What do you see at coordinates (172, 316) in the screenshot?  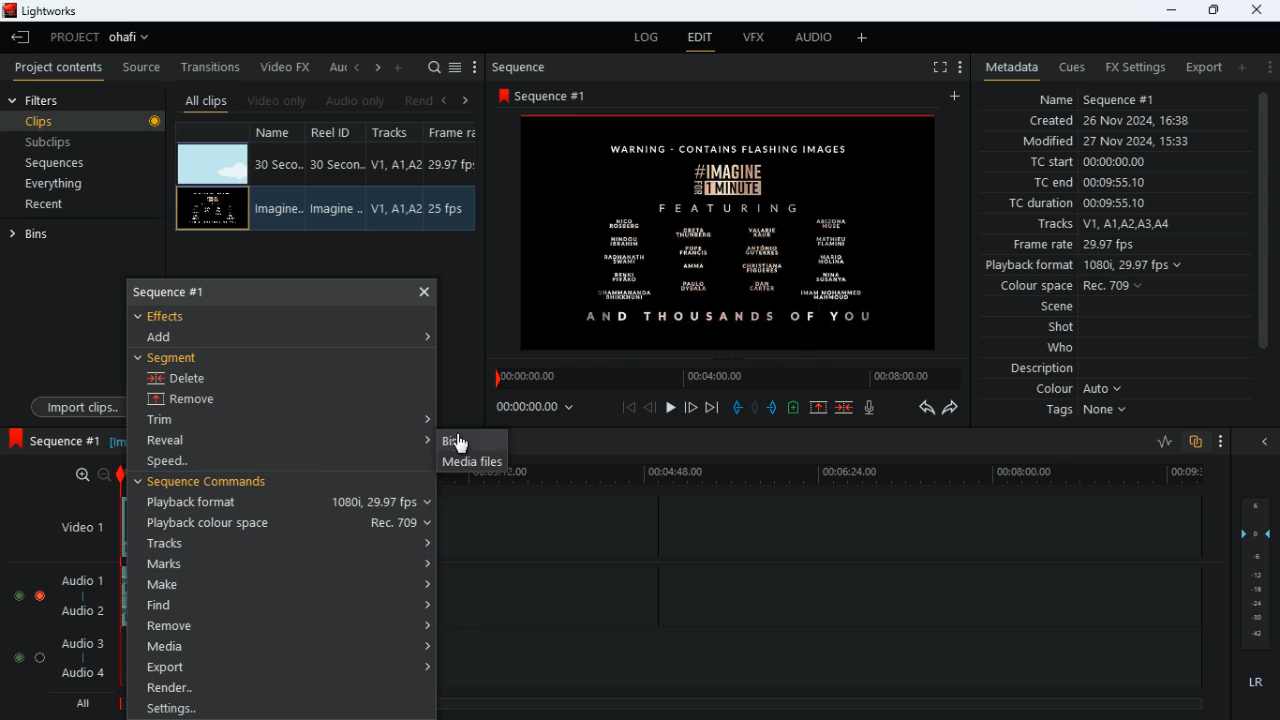 I see `effects` at bounding box center [172, 316].